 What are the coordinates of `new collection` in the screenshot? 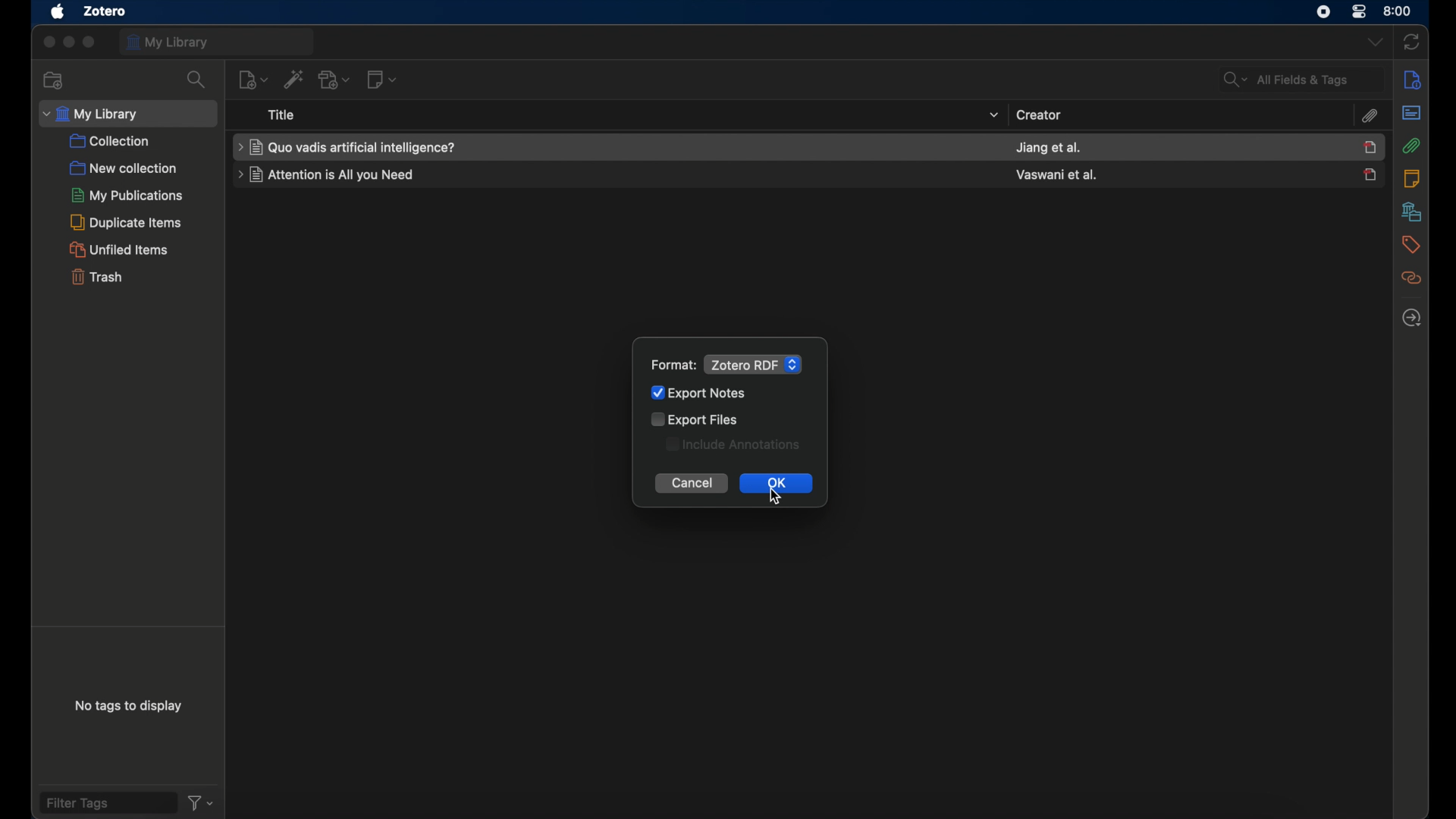 It's located at (55, 80).